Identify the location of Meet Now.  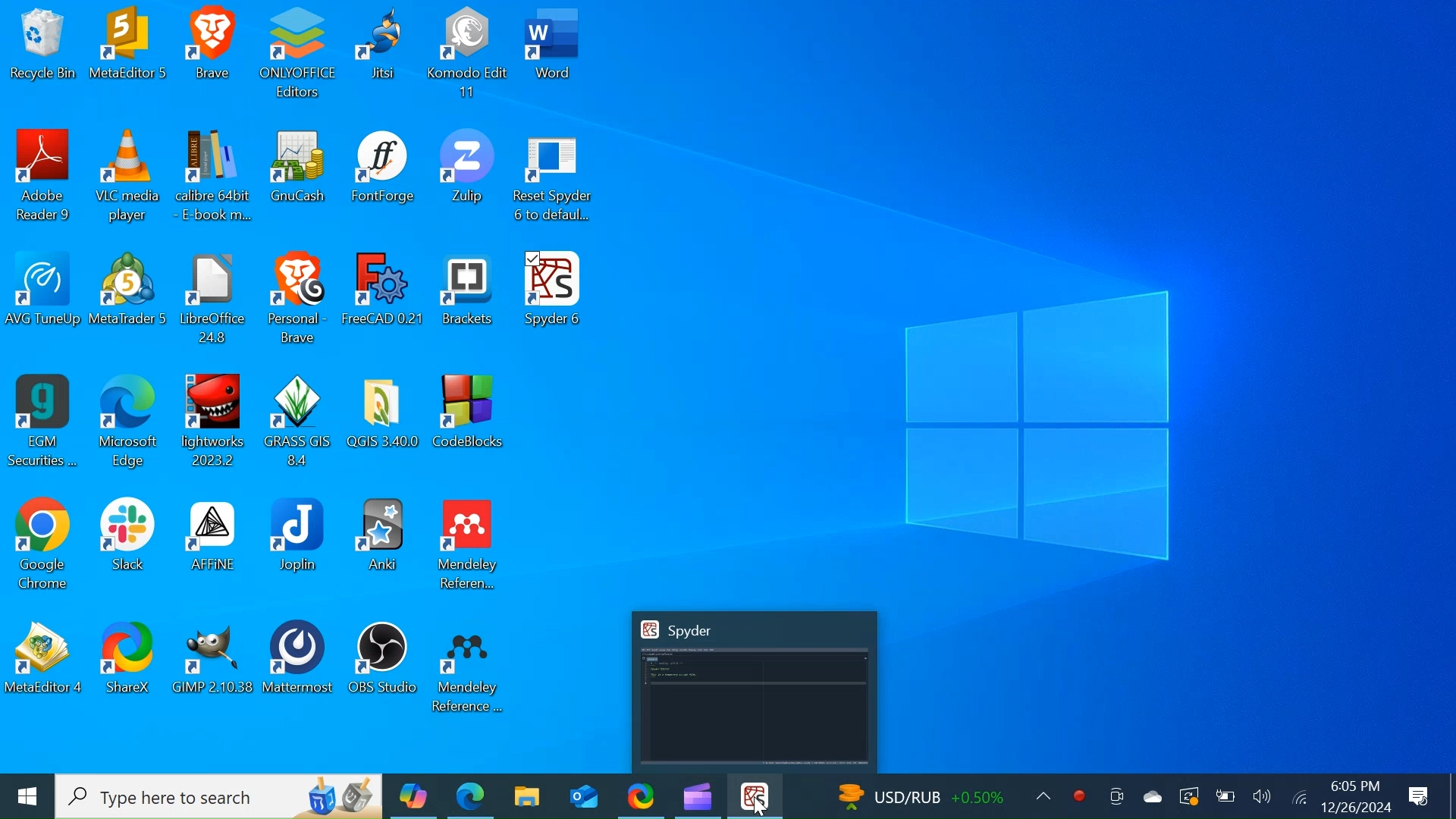
(1114, 795).